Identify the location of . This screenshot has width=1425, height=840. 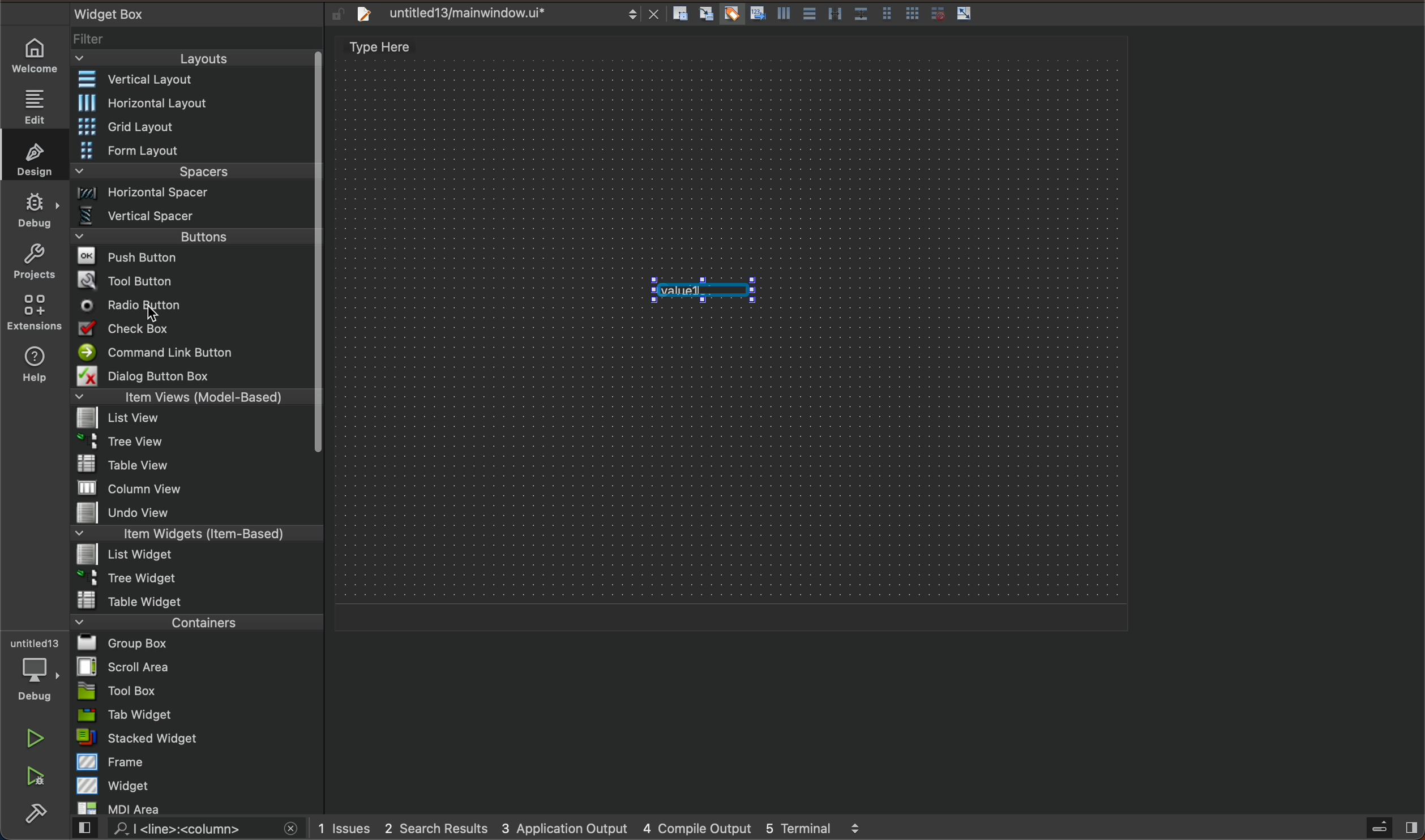
(194, 128).